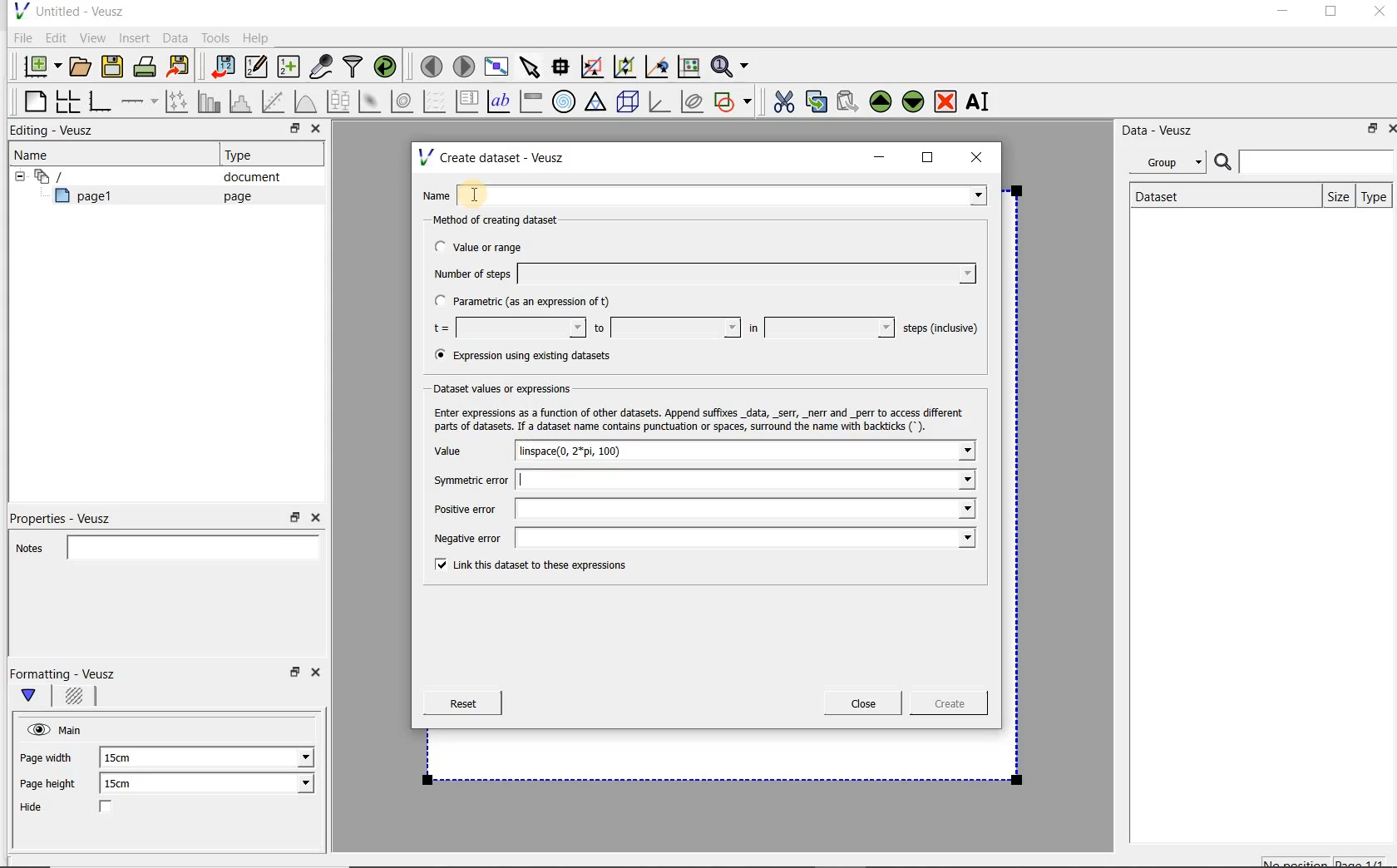 The height and width of the screenshot is (868, 1397). Describe the element at coordinates (77, 698) in the screenshot. I see `Background` at that location.